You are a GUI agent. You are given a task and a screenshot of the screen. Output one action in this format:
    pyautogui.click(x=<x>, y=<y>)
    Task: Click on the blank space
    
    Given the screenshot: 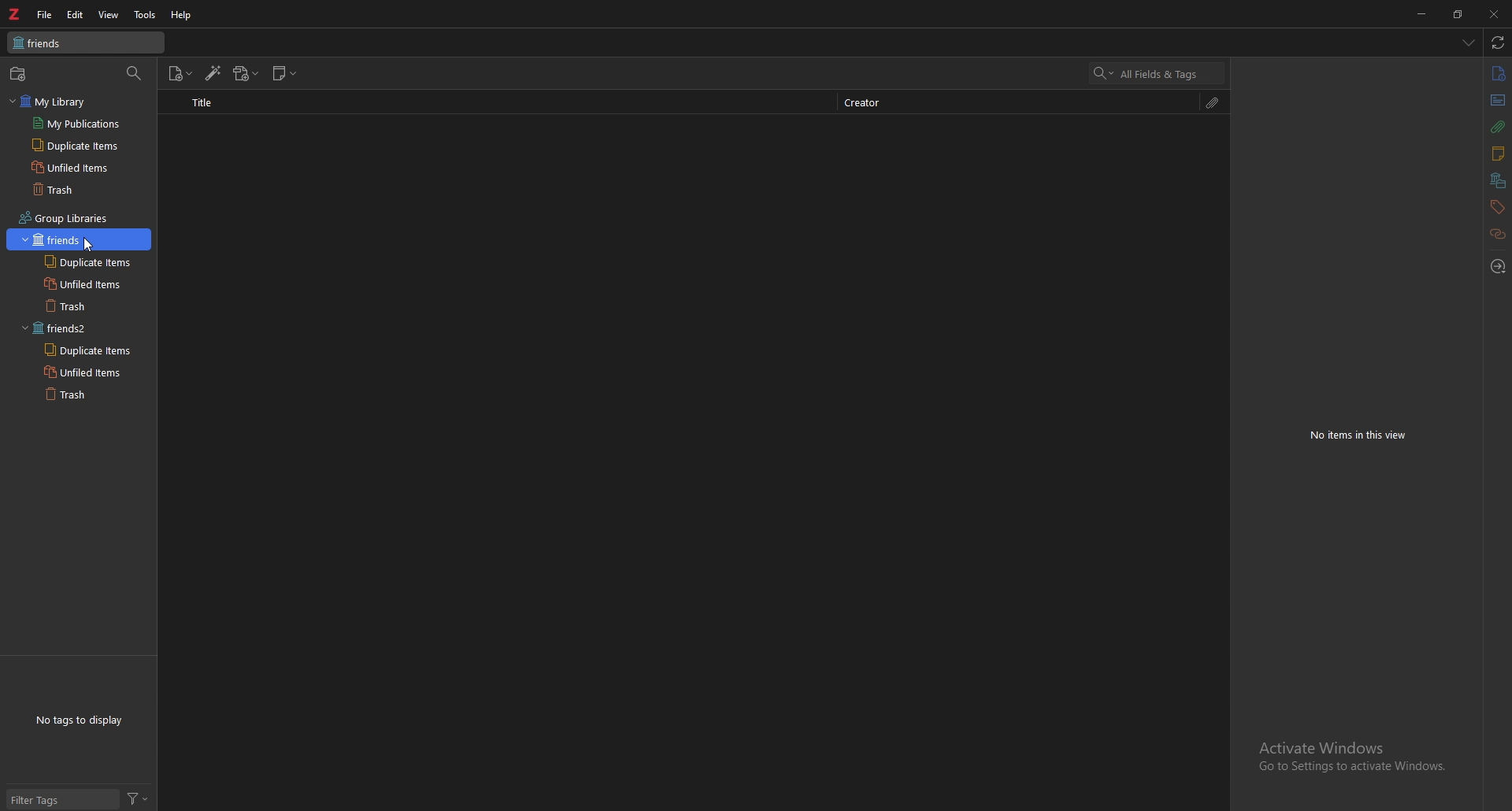 What is the action you would take?
    pyautogui.click(x=696, y=462)
    